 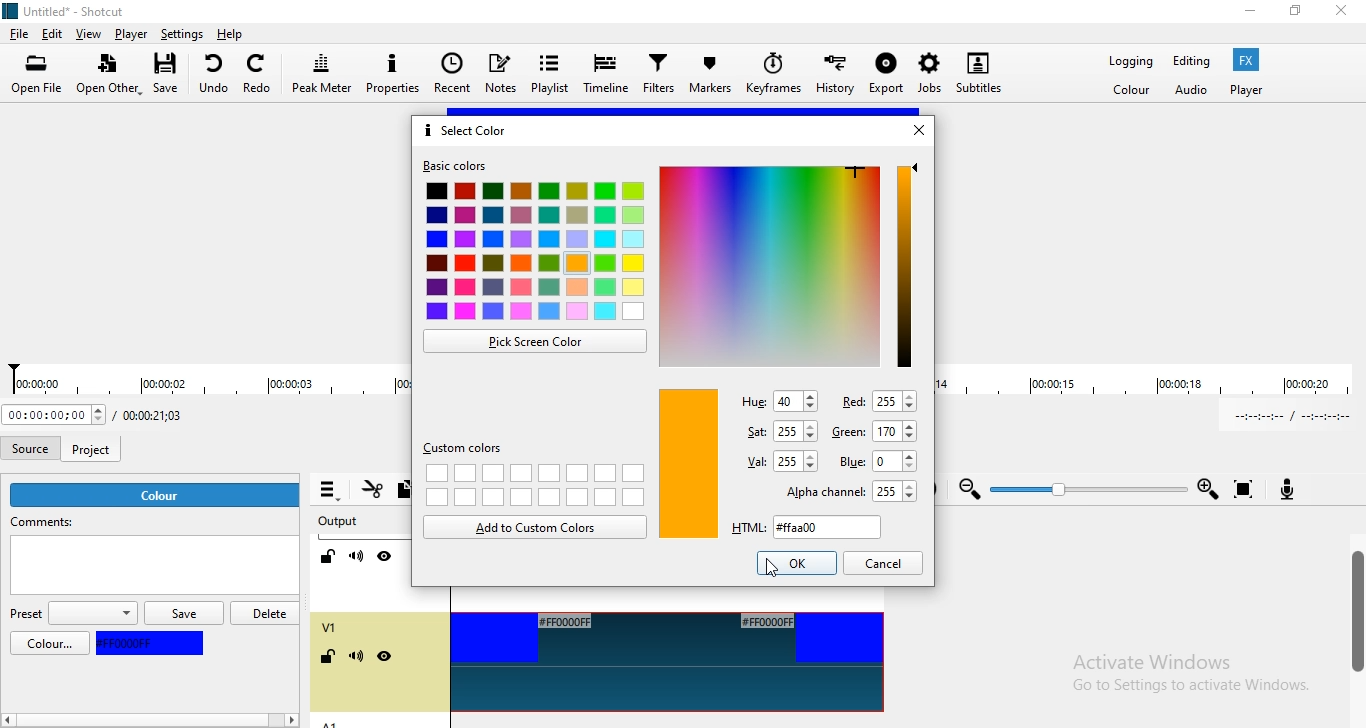 I want to click on lock, so click(x=331, y=658).